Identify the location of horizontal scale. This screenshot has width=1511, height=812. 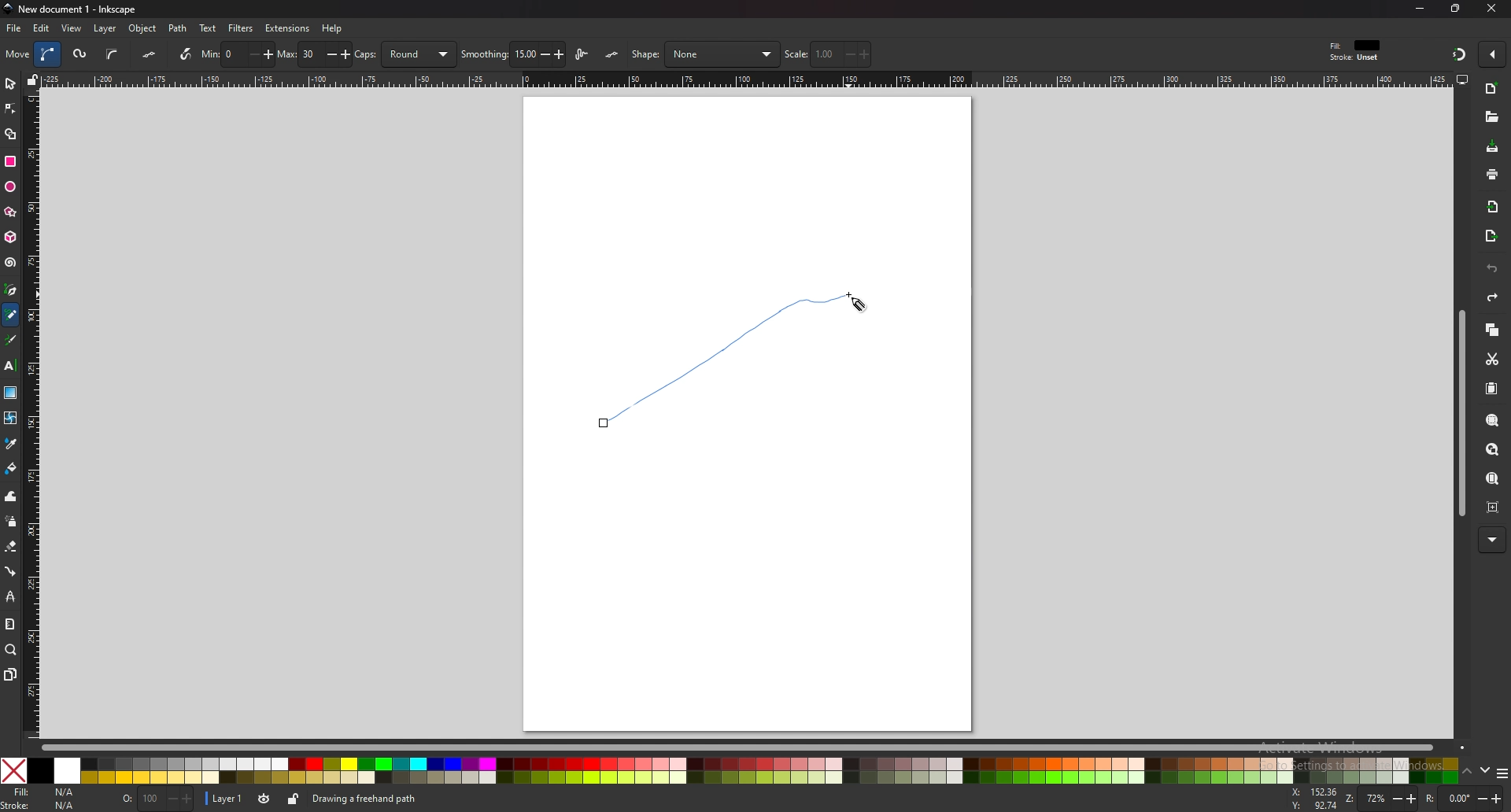
(746, 80).